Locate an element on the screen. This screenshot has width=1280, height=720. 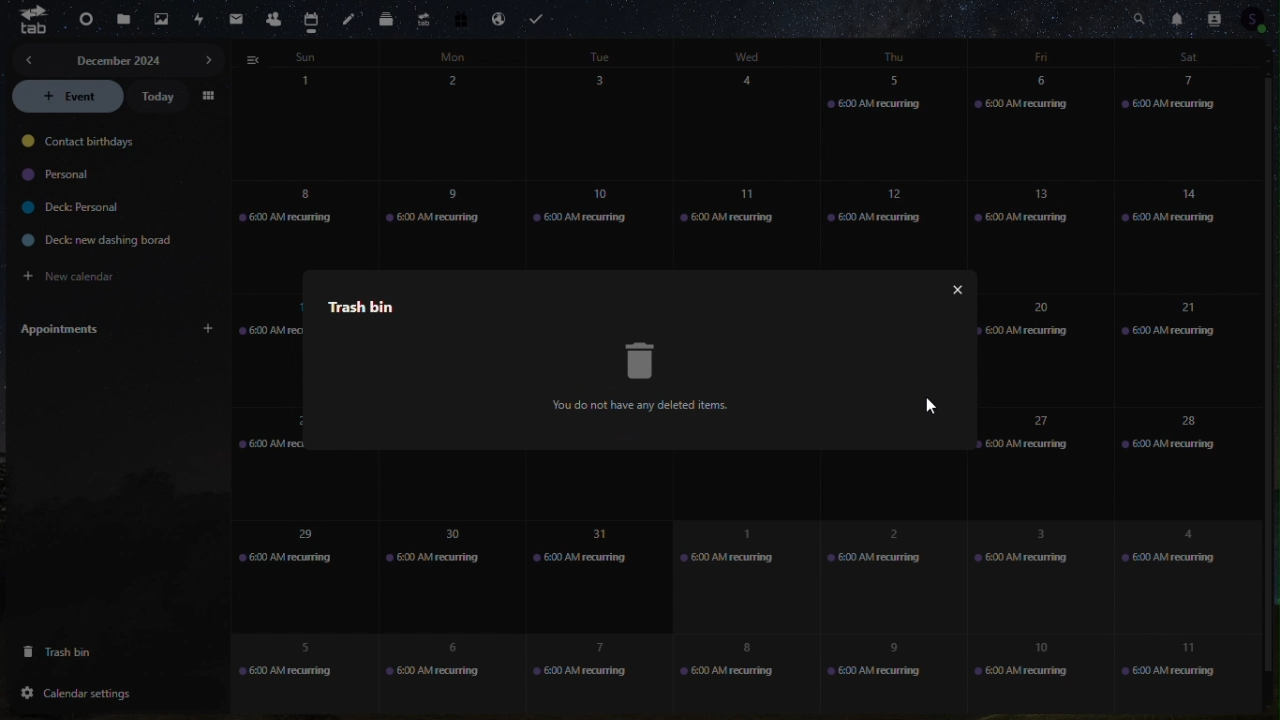
8 is located at coordinates (732, 674).